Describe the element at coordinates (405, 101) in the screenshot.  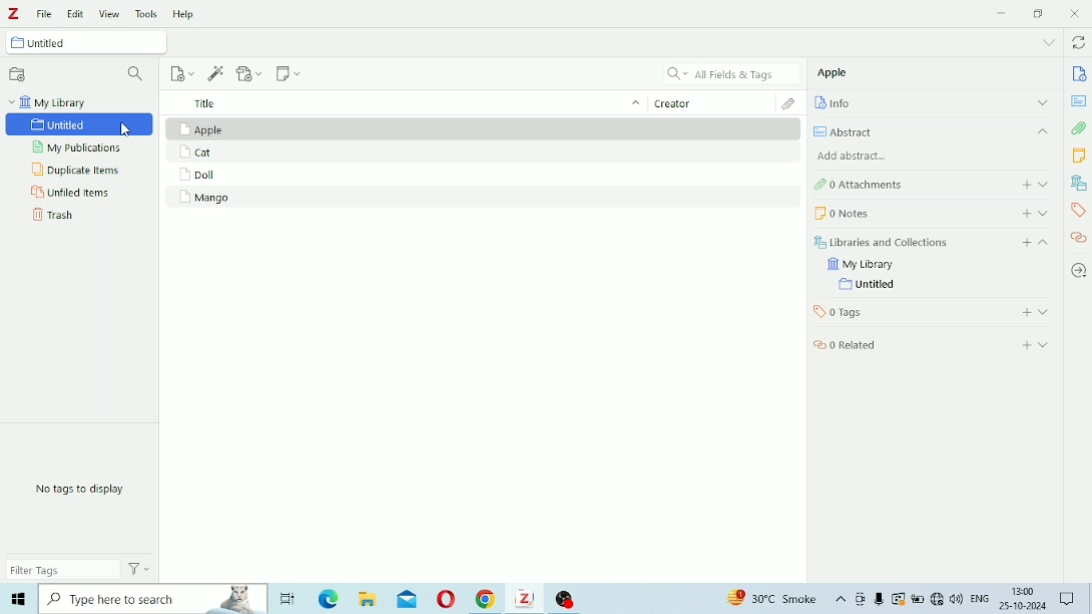
I see `Title` at that location.